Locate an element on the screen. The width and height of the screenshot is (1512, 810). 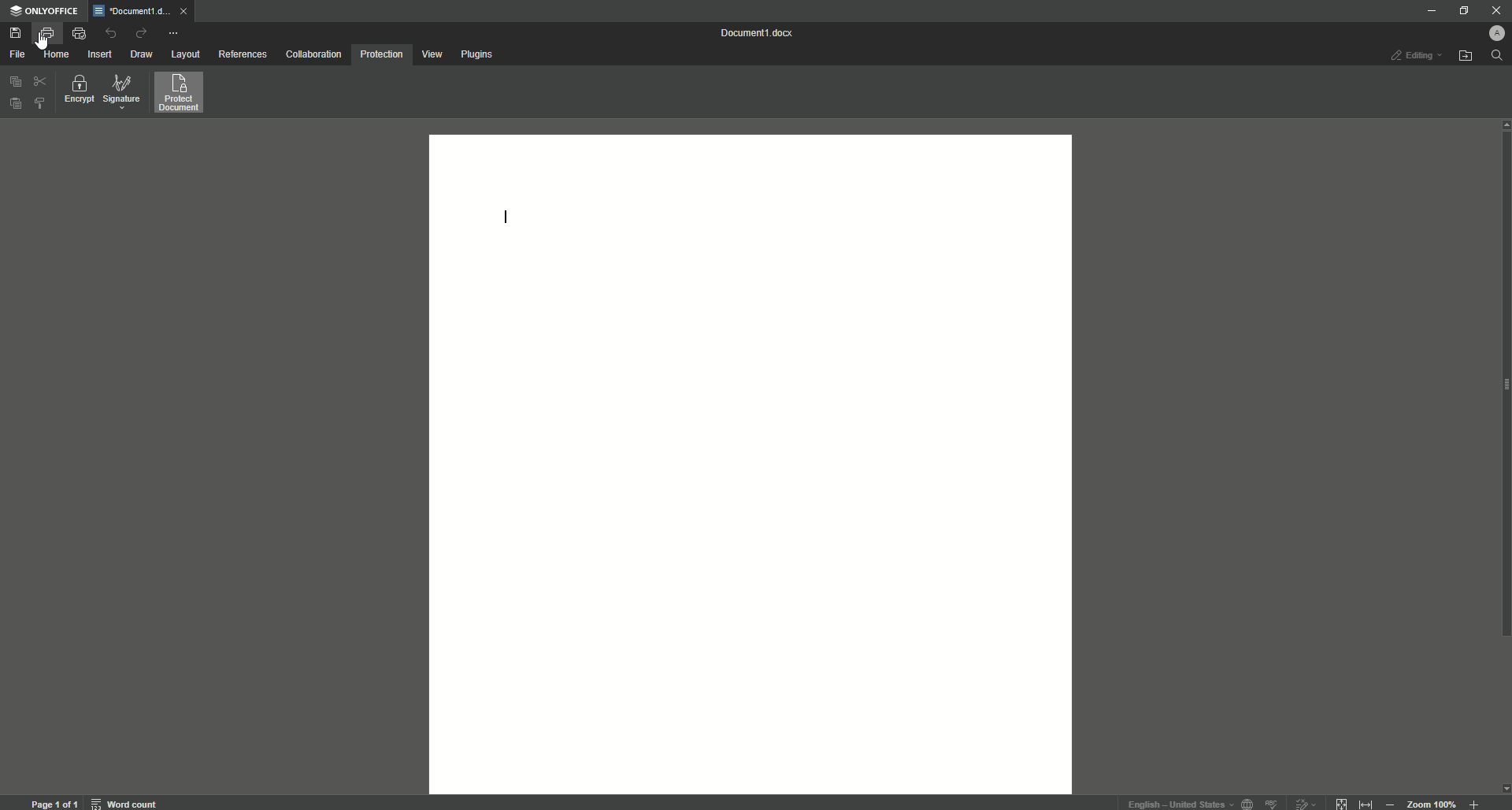
fit to page is located at coordinates (1340, 801).